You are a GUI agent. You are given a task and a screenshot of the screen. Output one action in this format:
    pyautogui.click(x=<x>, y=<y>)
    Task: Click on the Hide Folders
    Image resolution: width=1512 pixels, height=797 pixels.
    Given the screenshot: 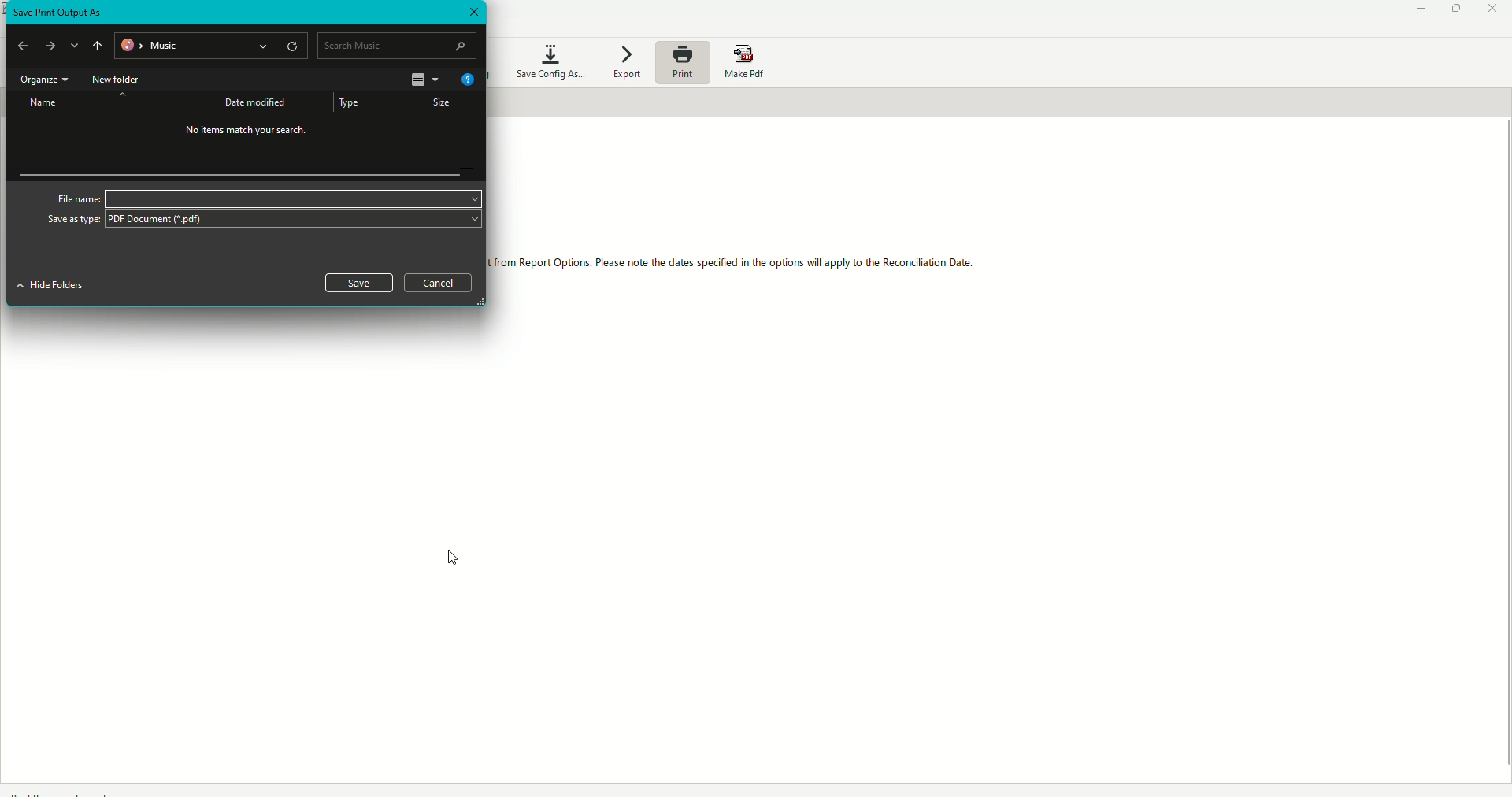 What is the action you would take?
    pyautogui.click(x=50, y=287)
    